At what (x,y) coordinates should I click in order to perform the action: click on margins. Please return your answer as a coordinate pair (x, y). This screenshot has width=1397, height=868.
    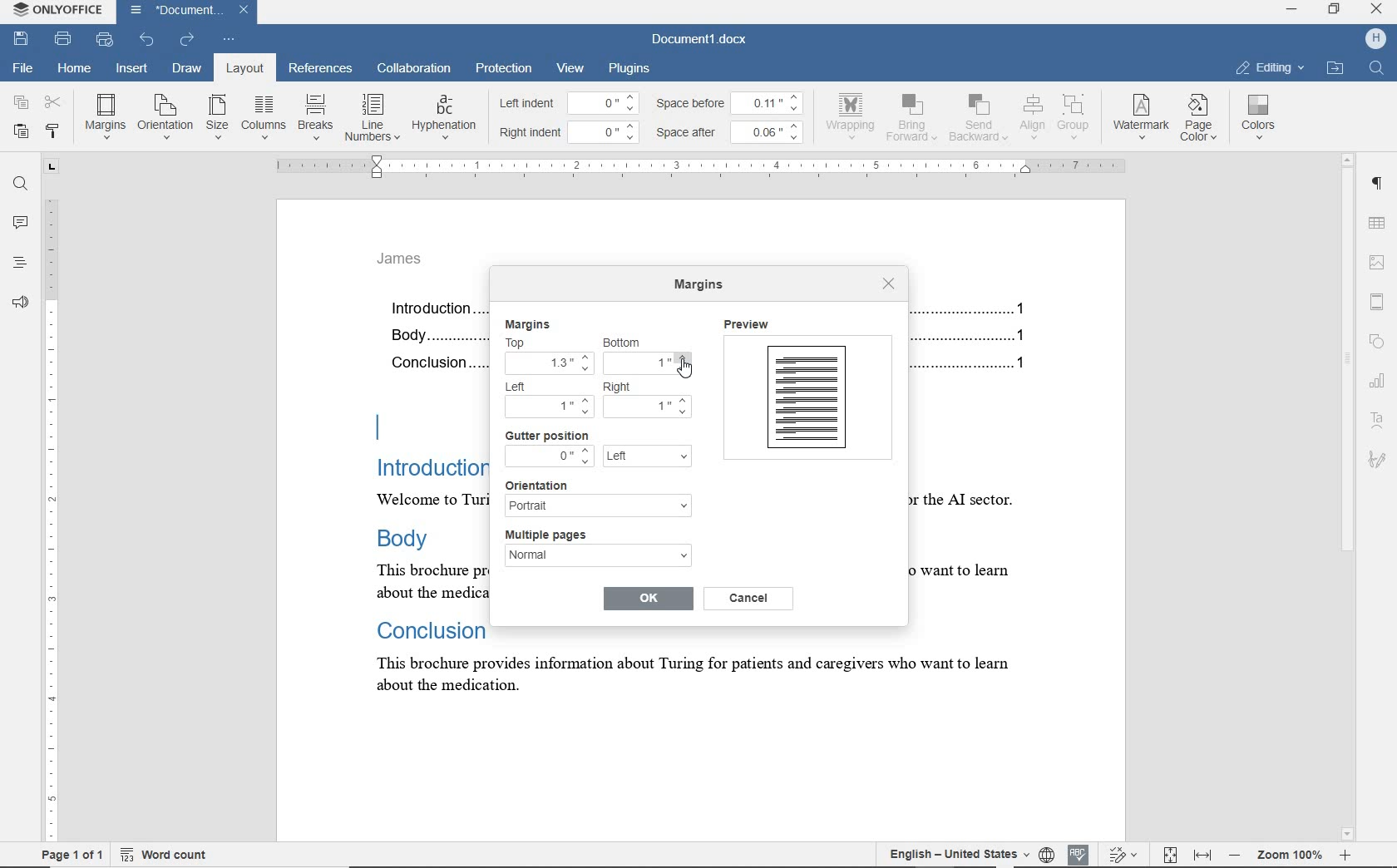
    Looking at the image, I should click on (527, 324).